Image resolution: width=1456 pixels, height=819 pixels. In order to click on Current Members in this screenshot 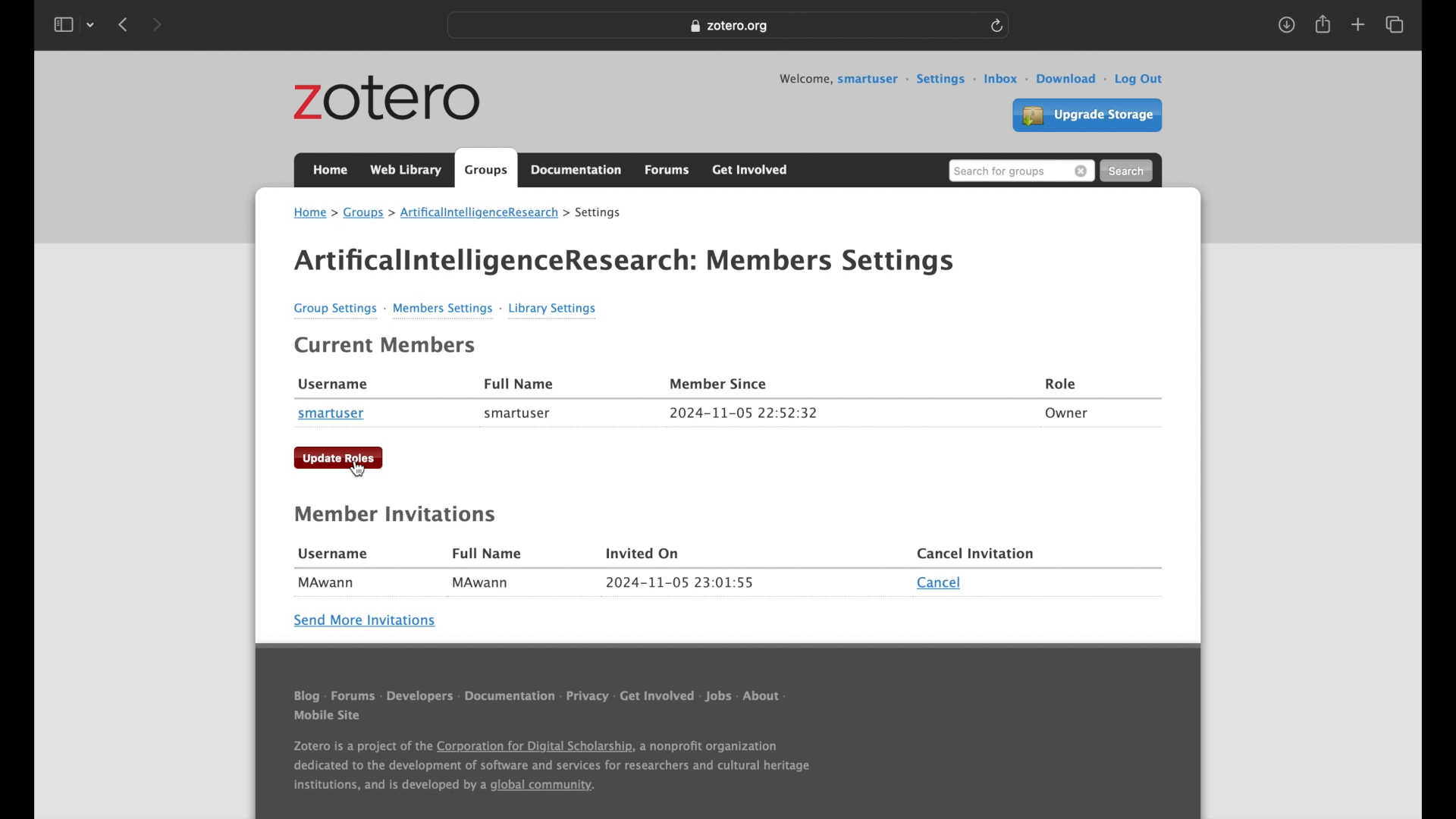, I will do `click(410, 346)`.